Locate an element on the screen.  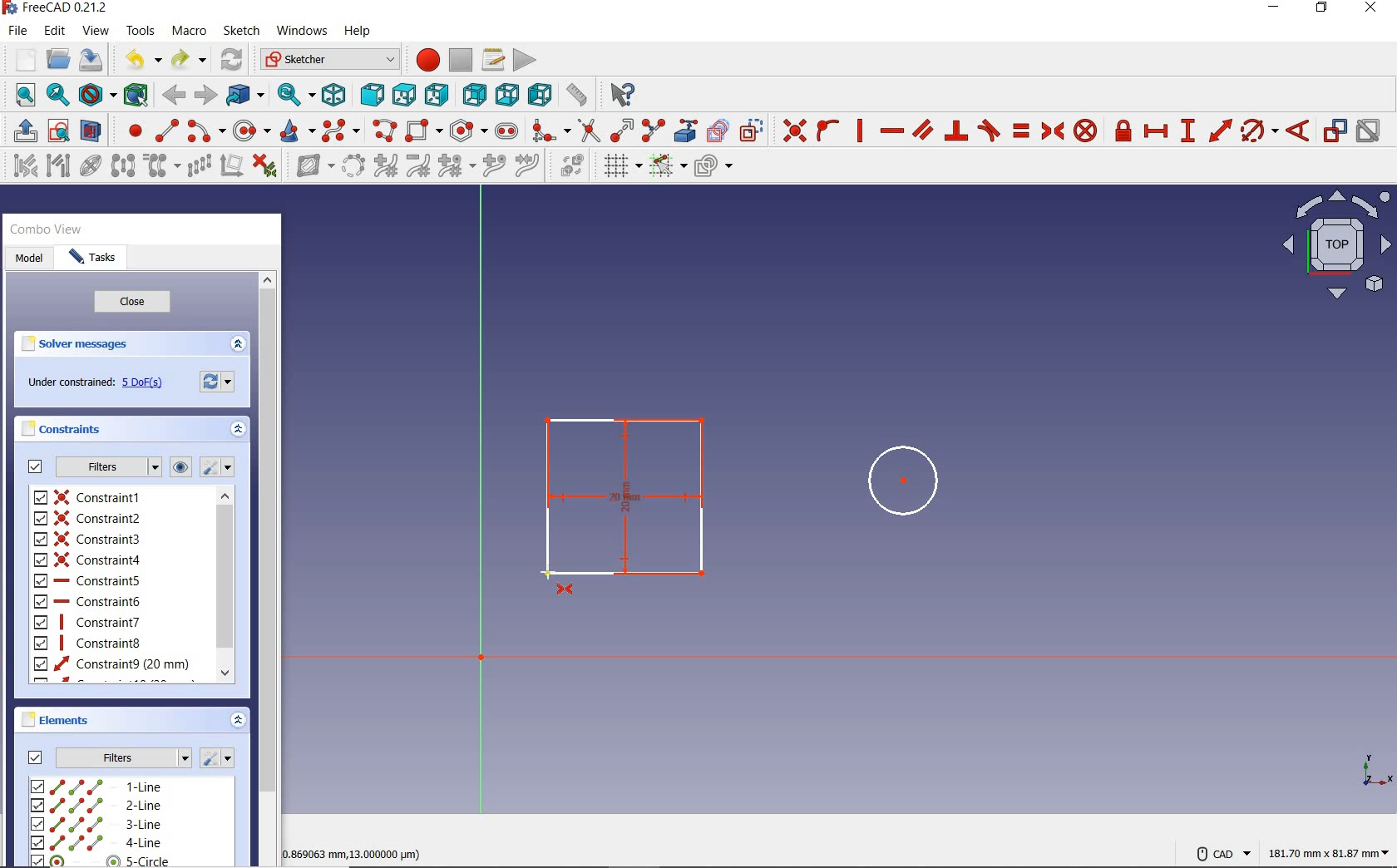
Filters checkbox is located at coordinates (36, 466).